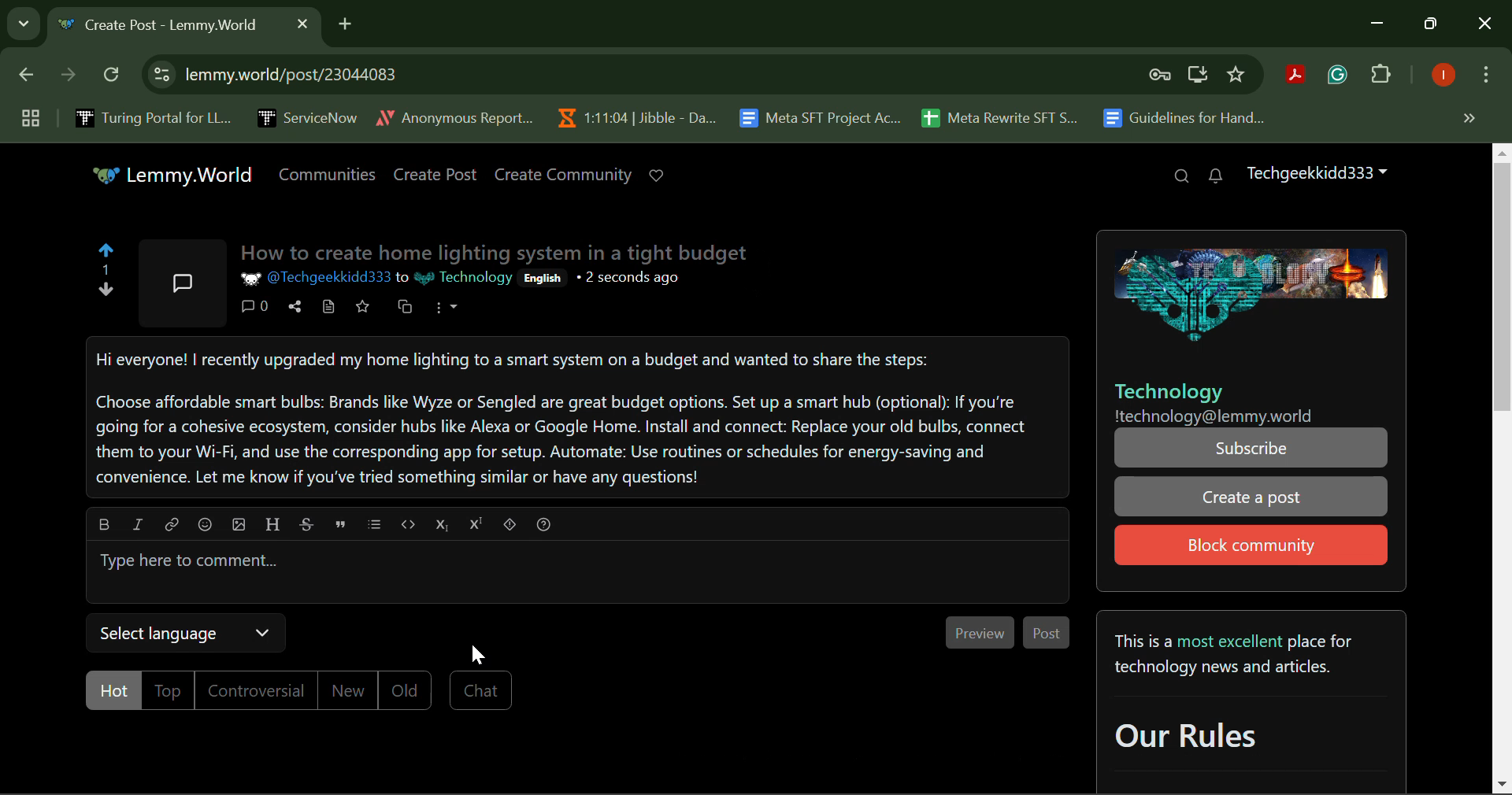  I want to click on Close Tab, so click(302, 23).